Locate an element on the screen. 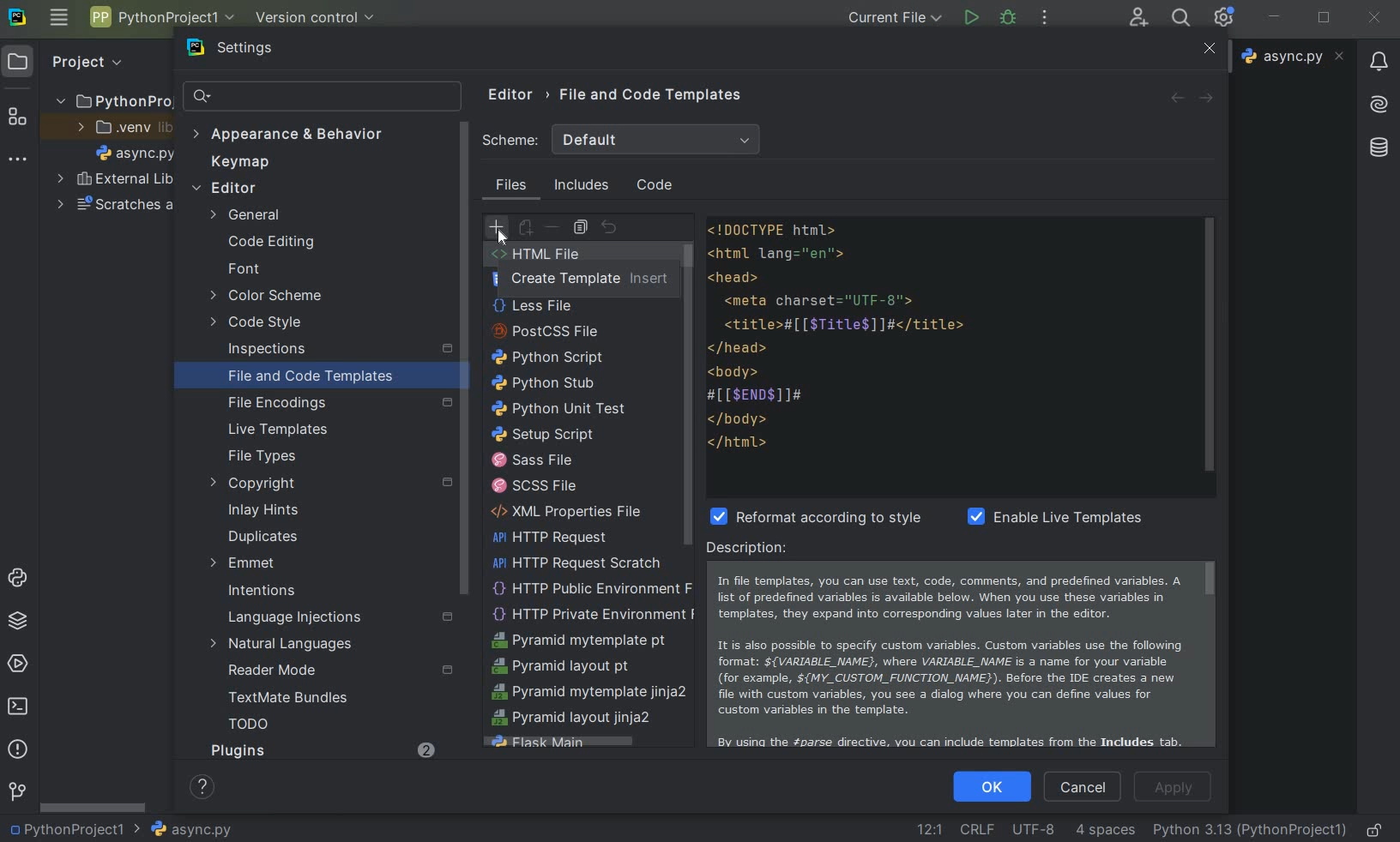  file encoding is located at coordinates (335, 405).